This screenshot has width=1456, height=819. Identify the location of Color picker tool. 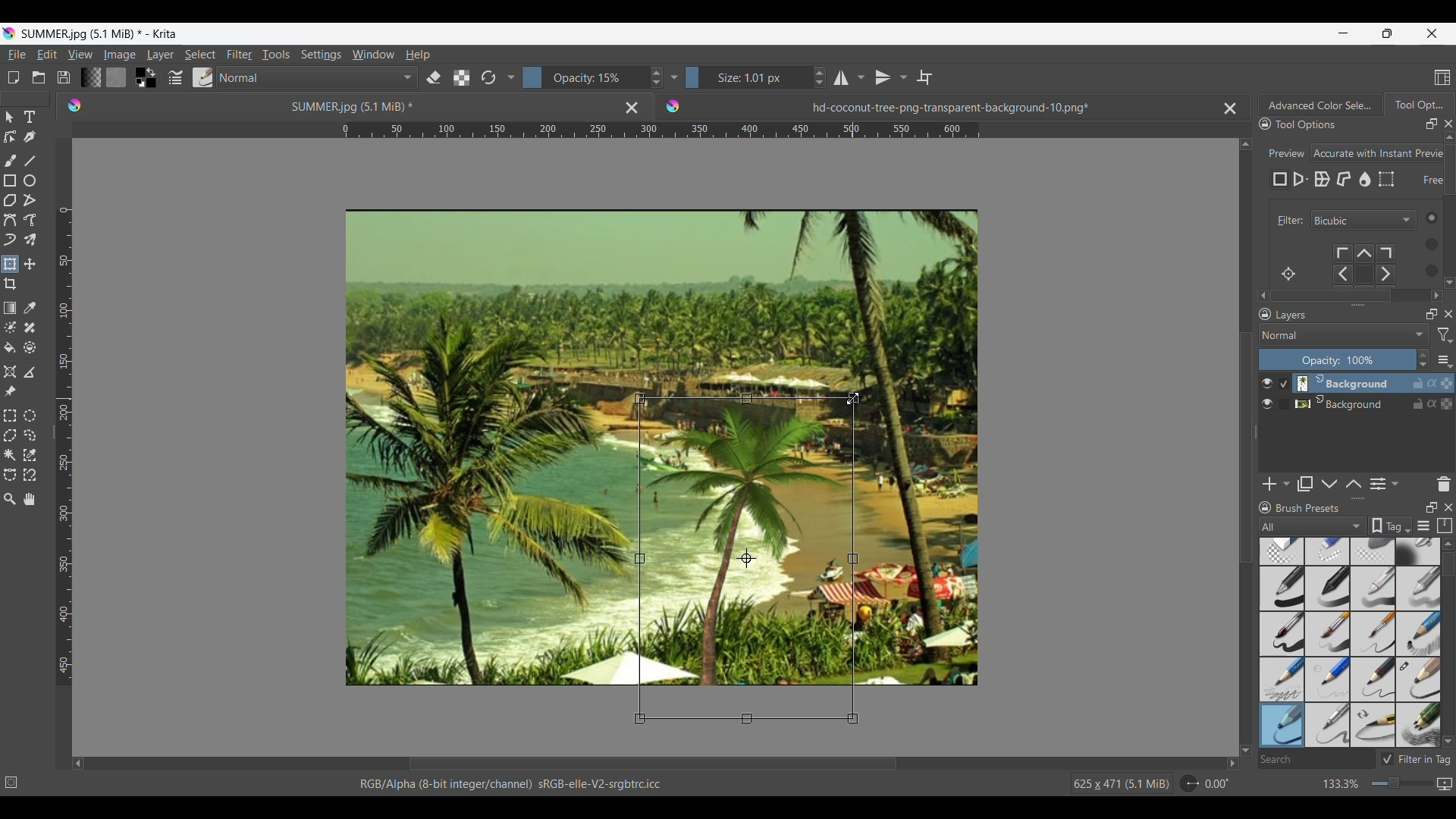
(29, 308).